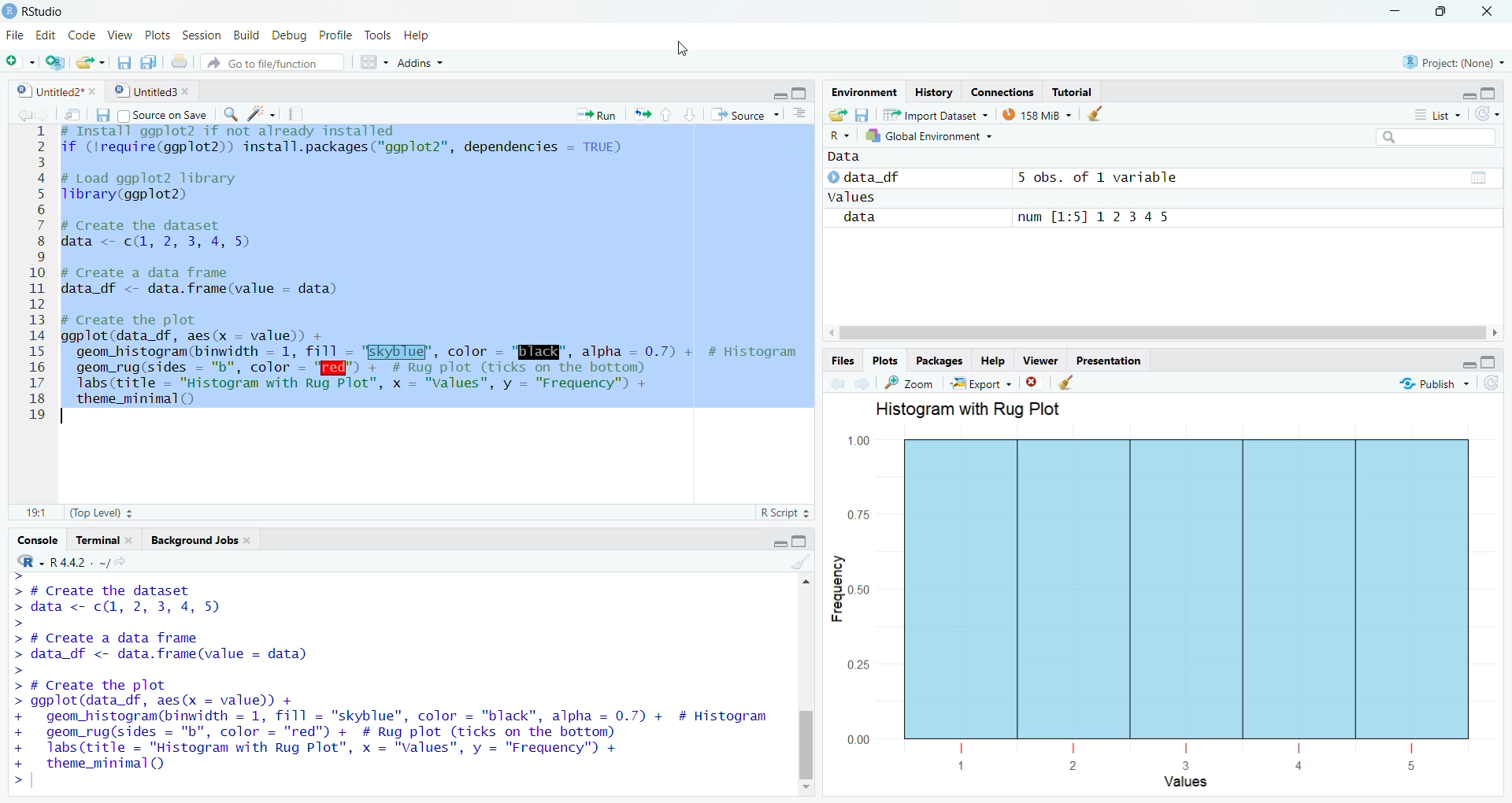 The width and height of the screenshot is (1512, 803). What do you see at coordinates (866, 113) in the screenshot?
I see `Save` at bounding box center [866, 113].